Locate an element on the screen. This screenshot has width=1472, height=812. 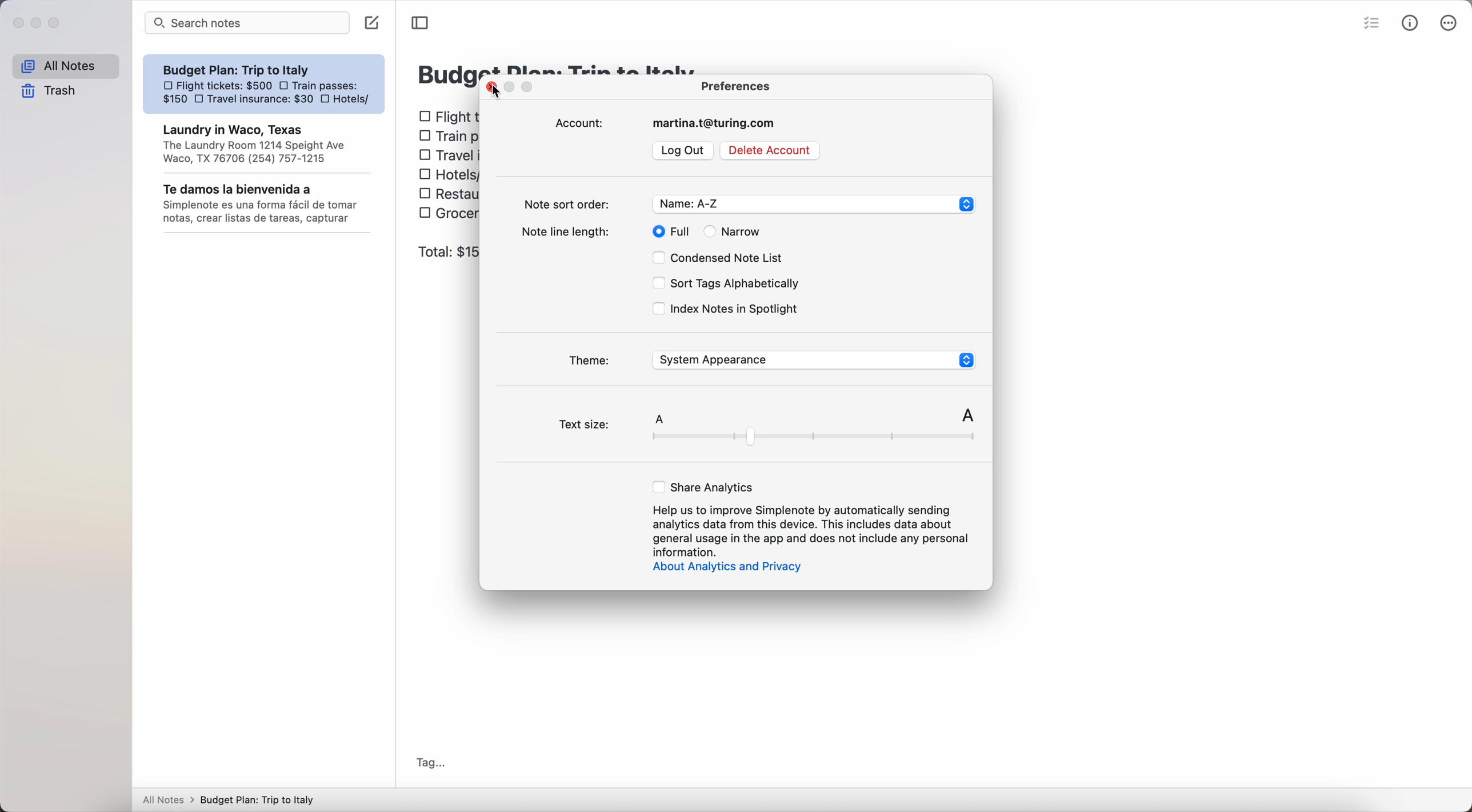
about analytics and privacy is located at coordinates (733, 568).